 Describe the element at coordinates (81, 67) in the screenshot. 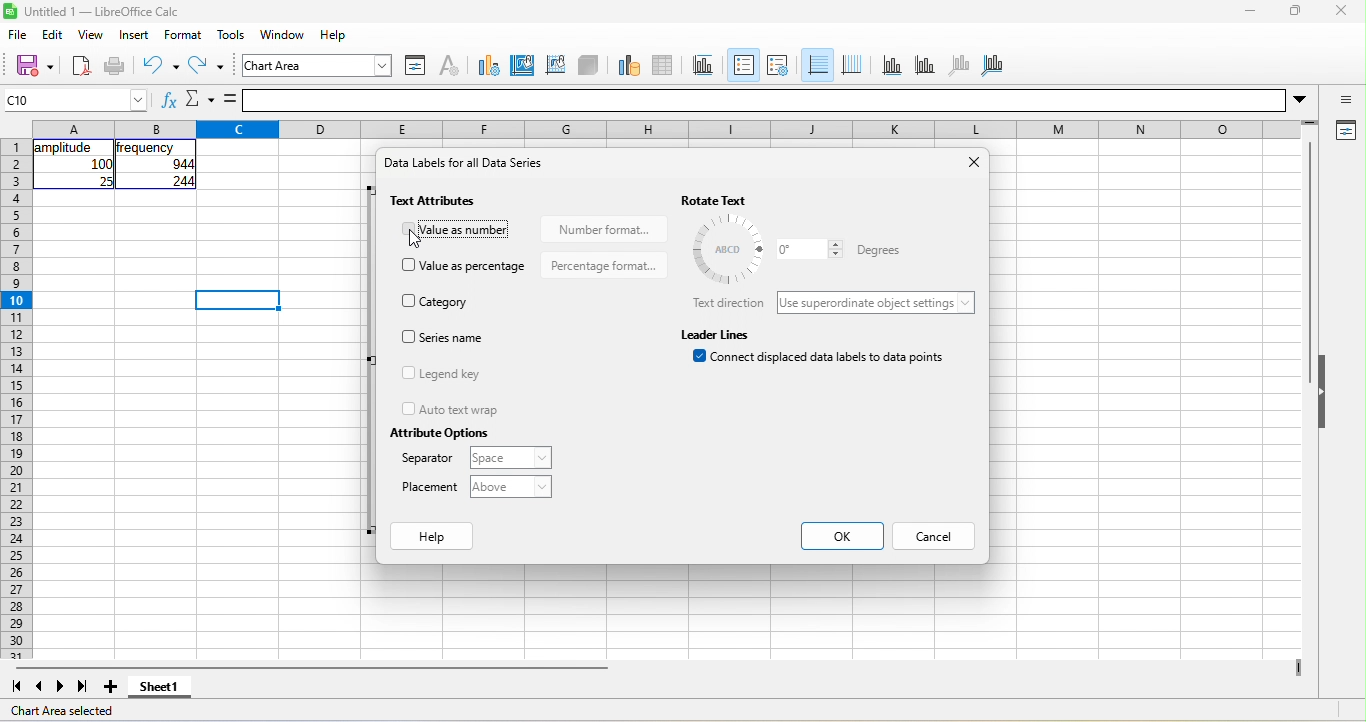

I see `export directly as pdf` at that location.